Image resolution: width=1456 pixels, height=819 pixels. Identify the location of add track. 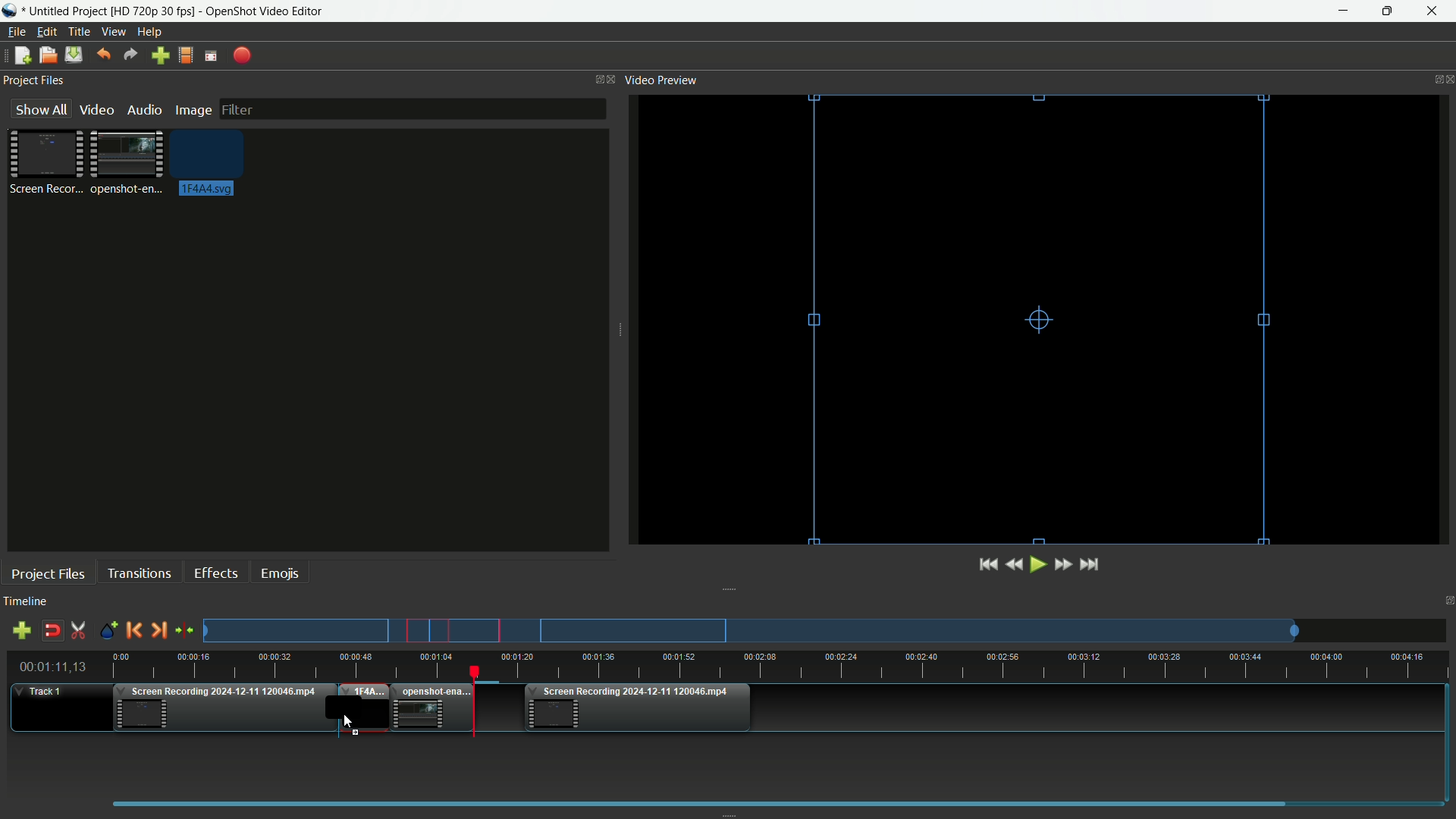
(19, 631).